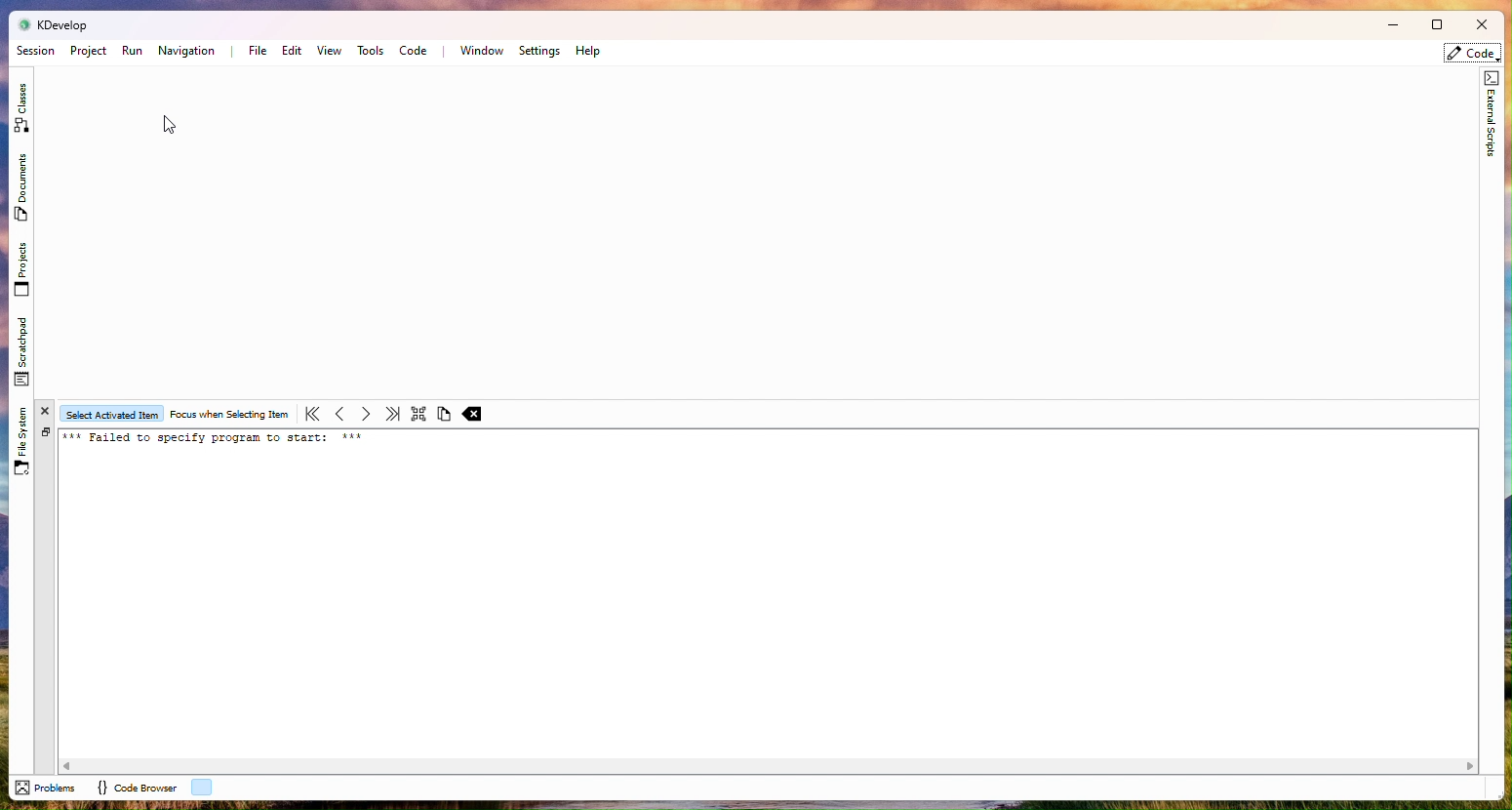 Image resolution: width=1512 pixels, height=810 pixels. Describe the element at coordinates (46, 432) in the screenshot. I see `Duplicate` at that location.